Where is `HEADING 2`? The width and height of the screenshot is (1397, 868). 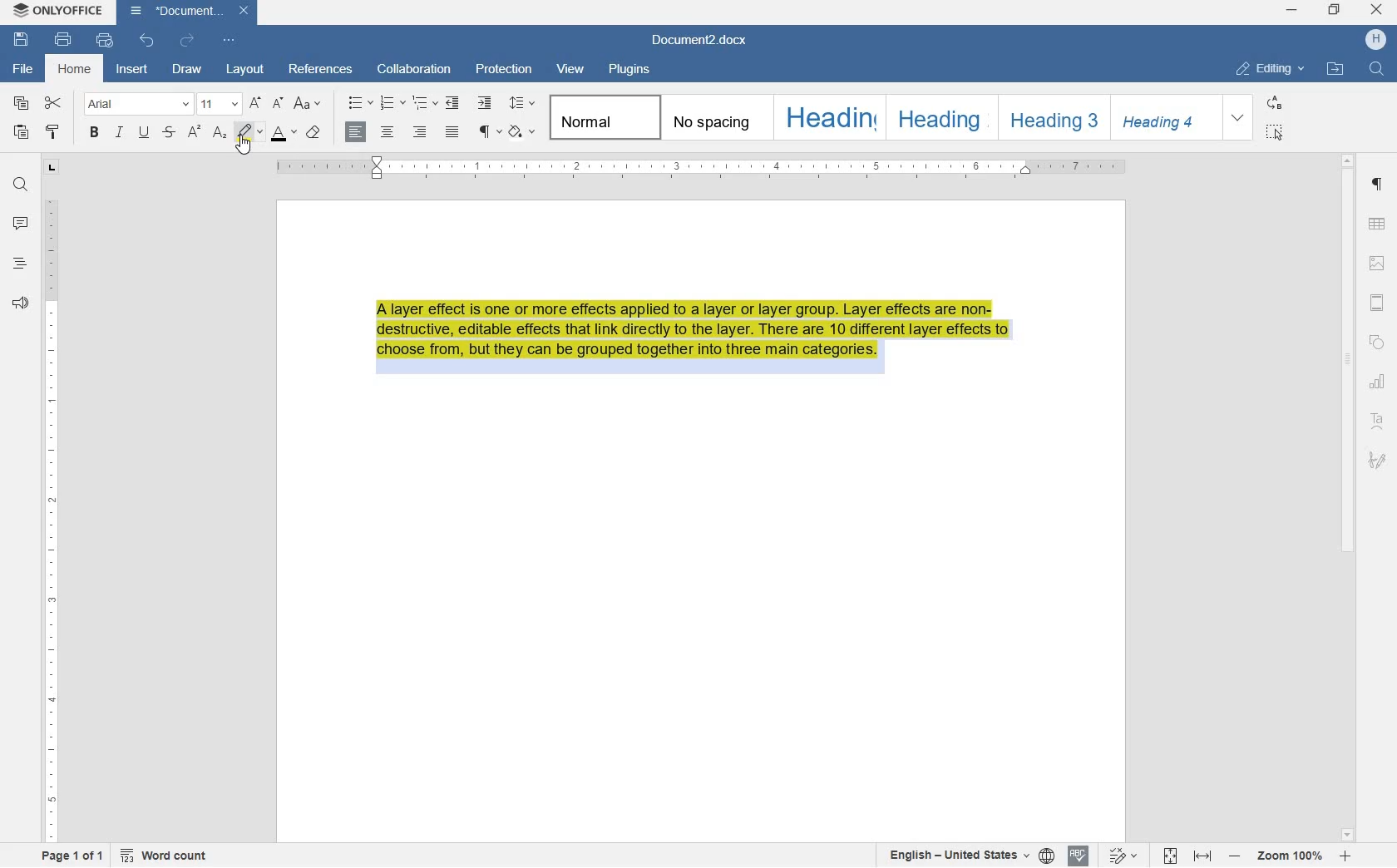 HEADING 2 is located at coordinates (940, 118).